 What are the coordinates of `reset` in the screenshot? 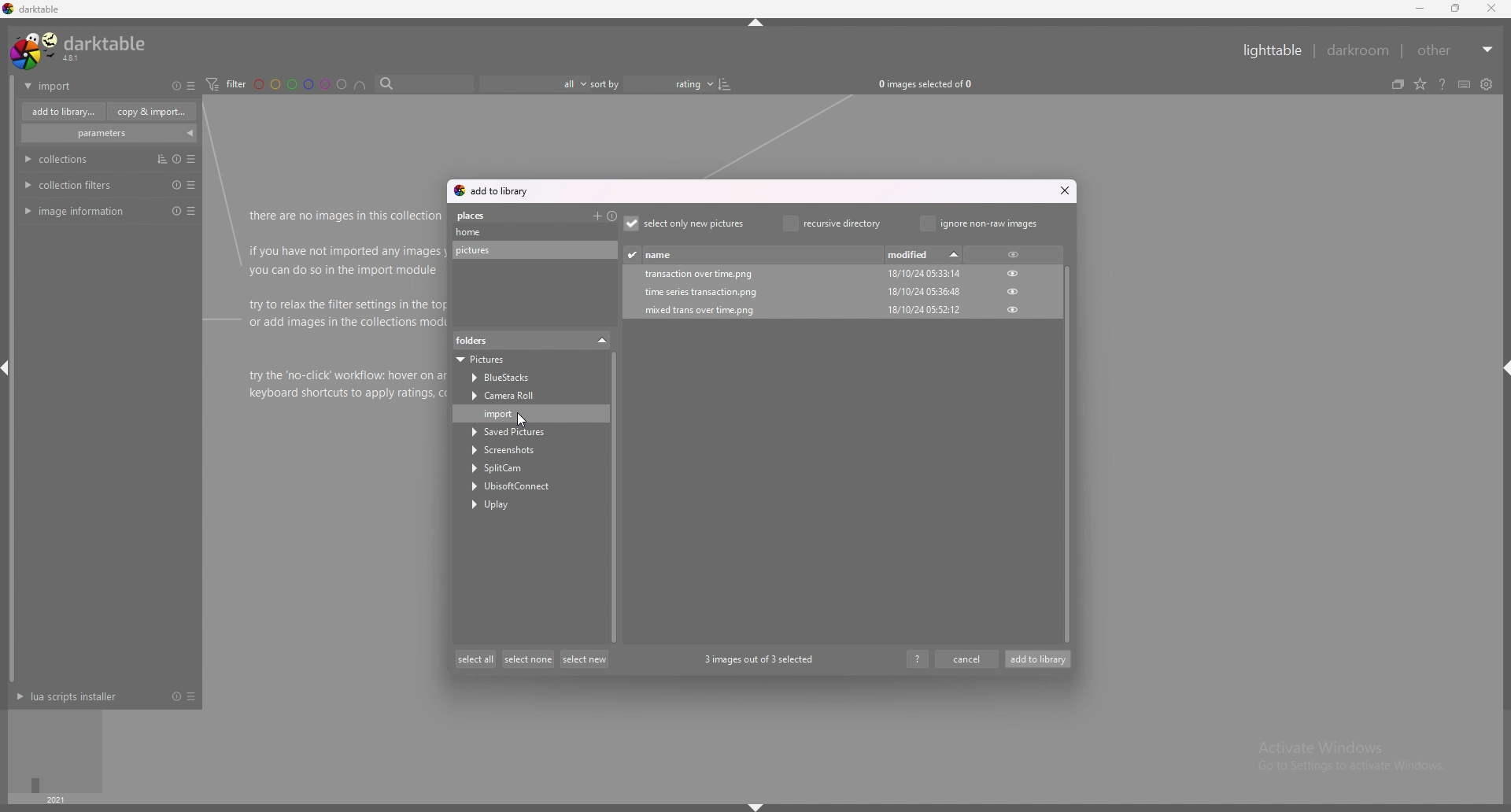 It's located at (174, 211).